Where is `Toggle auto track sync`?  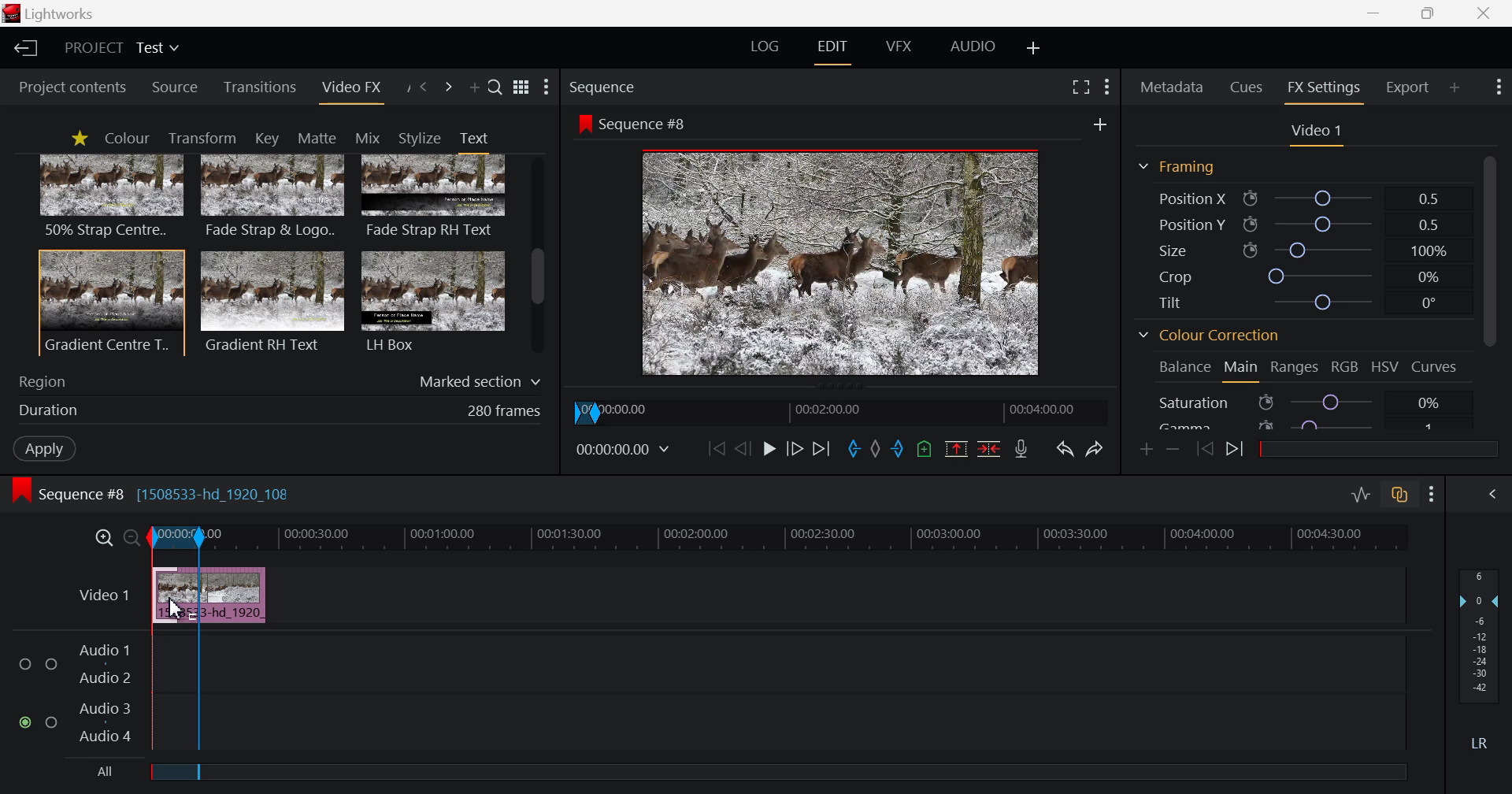 Toggle auto track sync is located at coordinates (1402, 497).